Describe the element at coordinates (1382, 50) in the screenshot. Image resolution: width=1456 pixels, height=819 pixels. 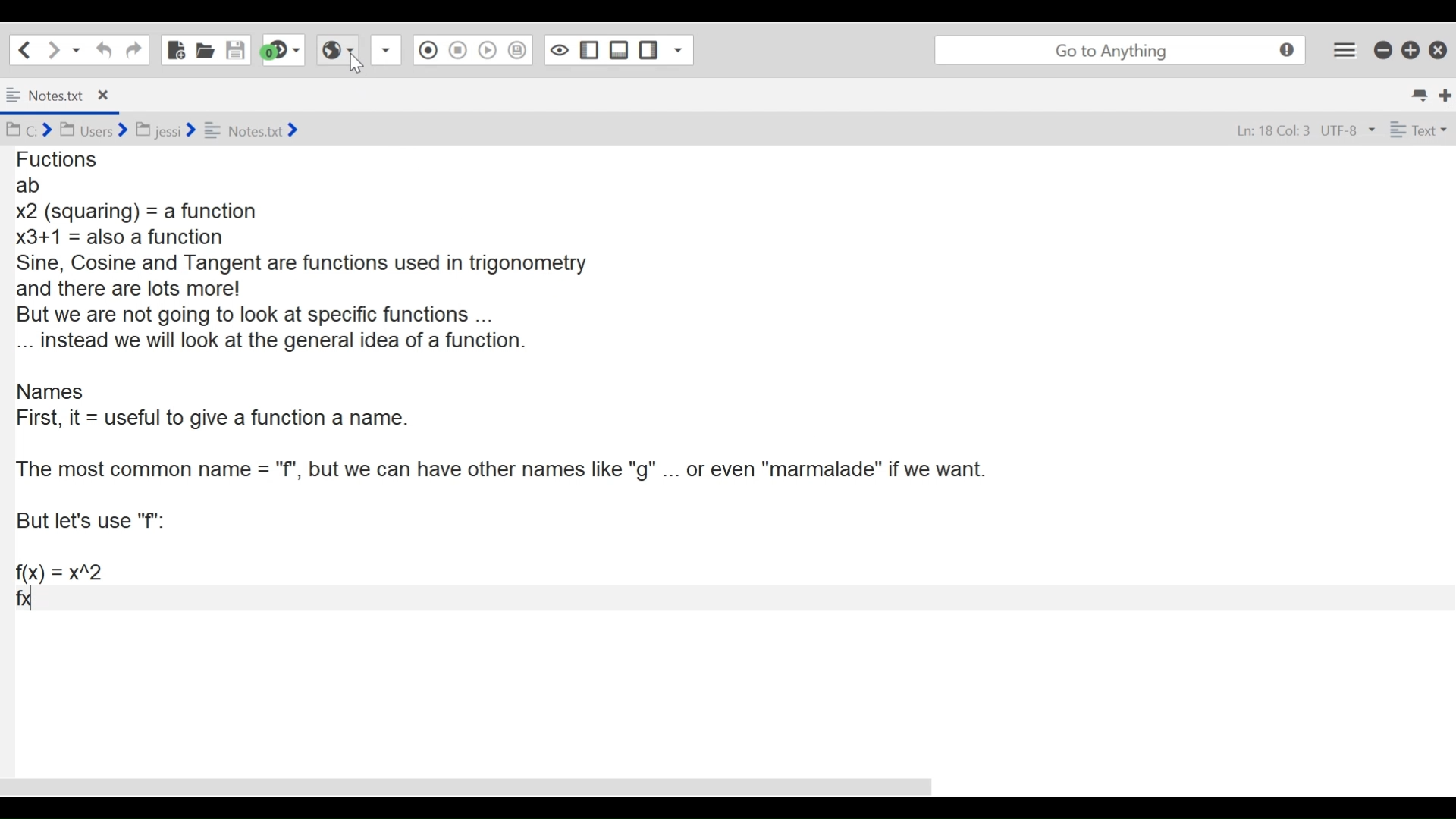
I see `minimize` at that location.